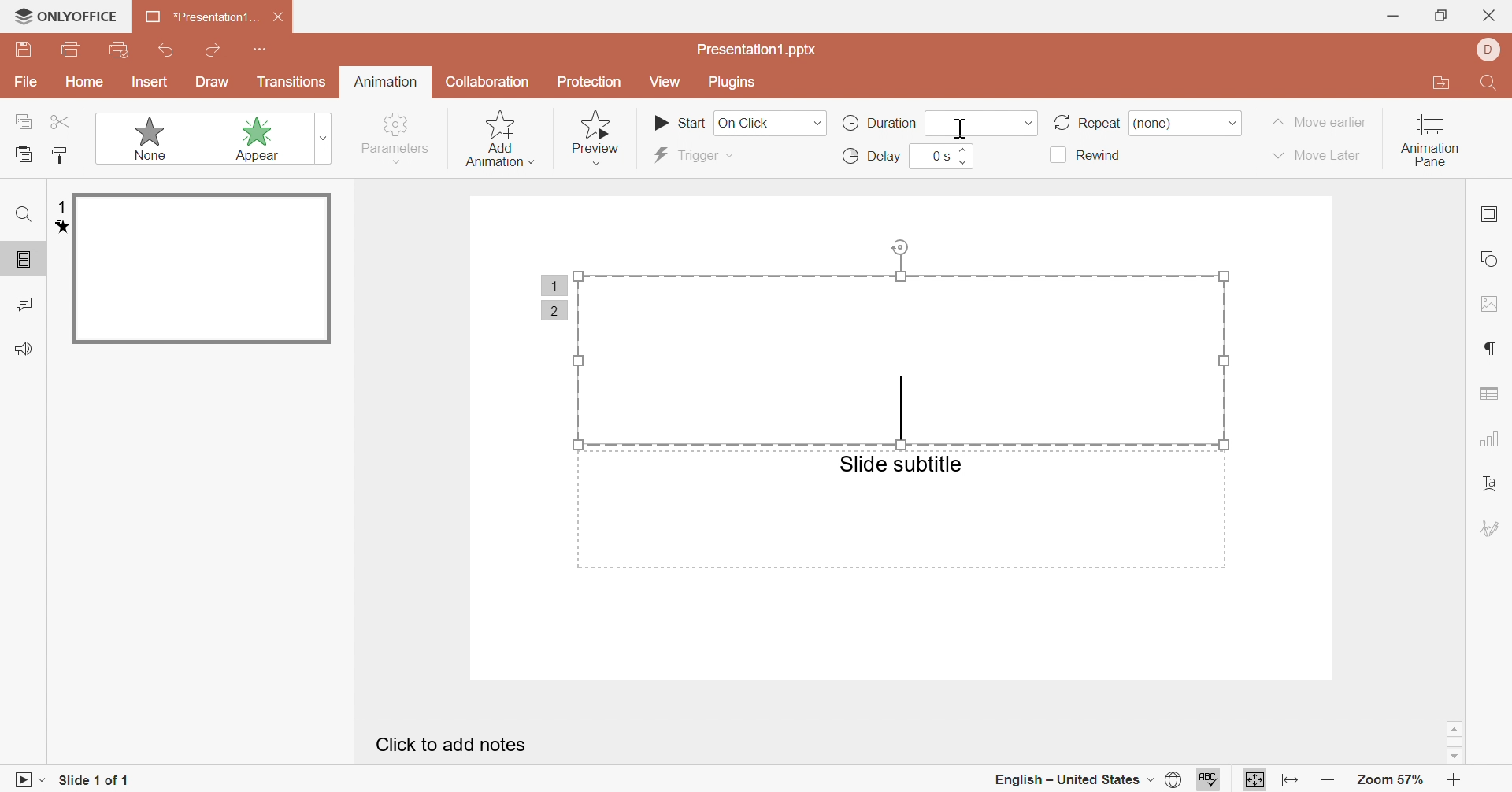 This screenshot has height=792, width=1512. I want to click on collaboration, so click(489, 83).